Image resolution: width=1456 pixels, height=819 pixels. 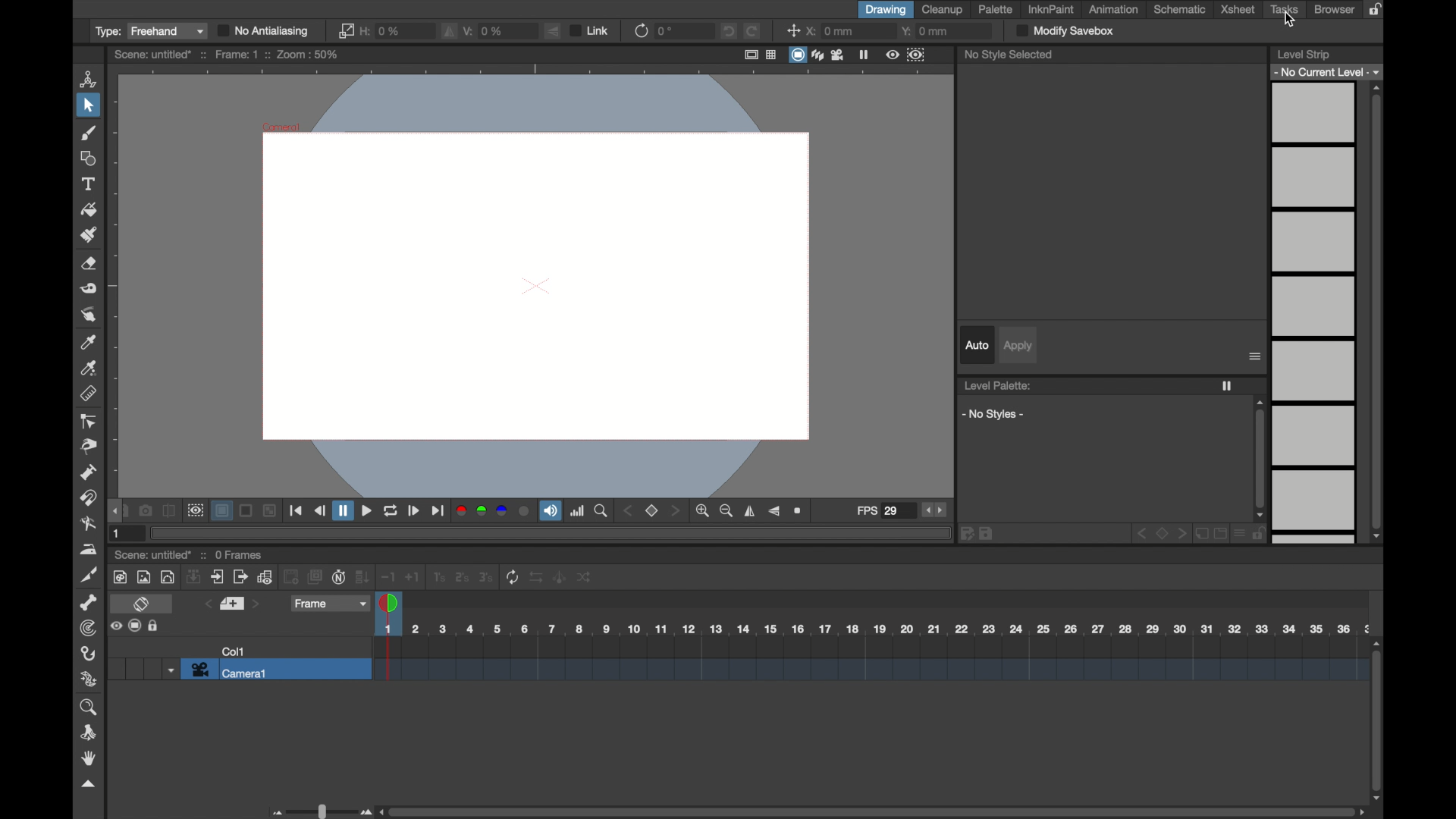 I want to click on more options, so click(x=1113, y=535).